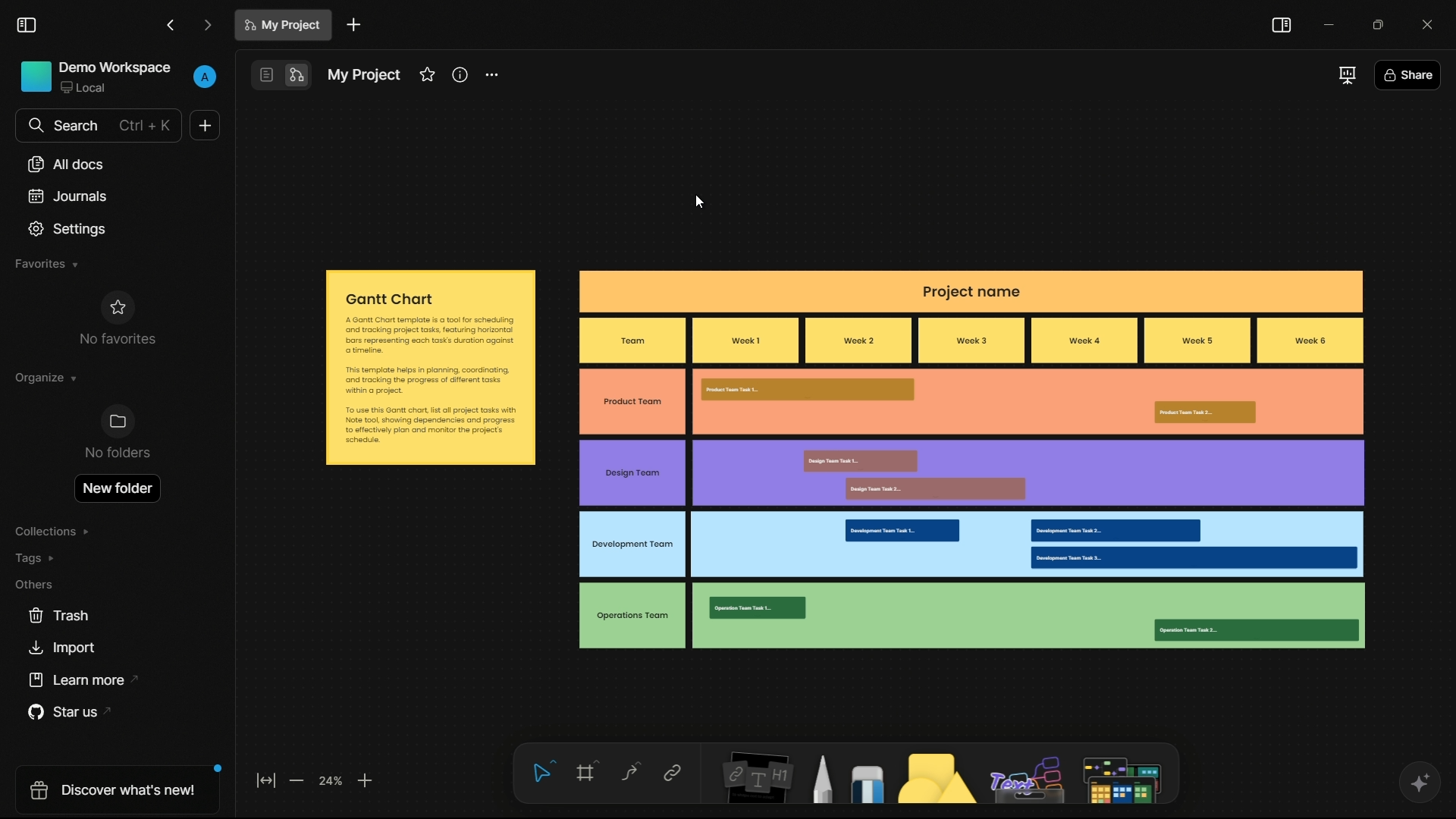  I want to click on journals, so click(65, 196).